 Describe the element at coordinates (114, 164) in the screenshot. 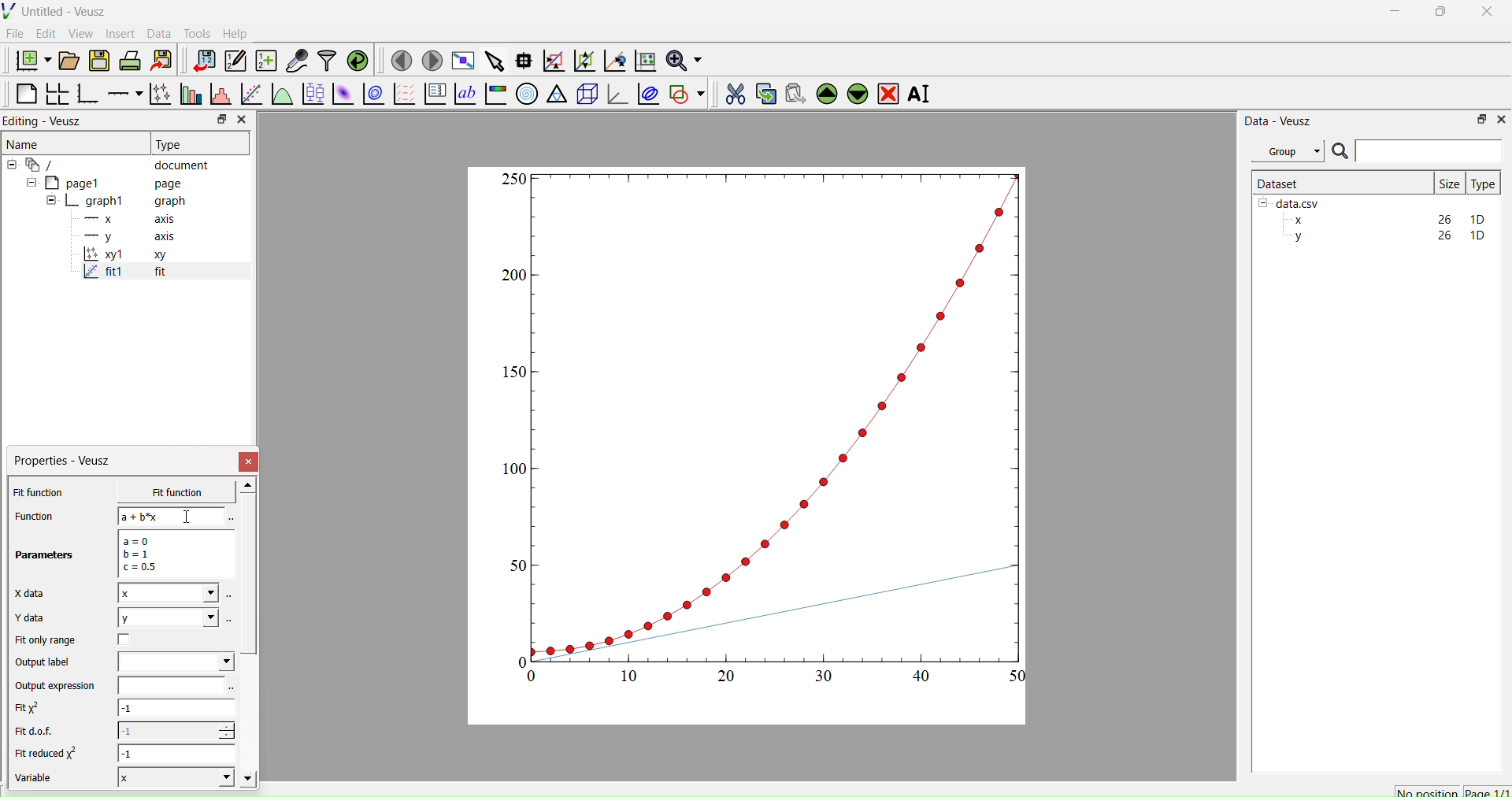

I see `document` at that location.